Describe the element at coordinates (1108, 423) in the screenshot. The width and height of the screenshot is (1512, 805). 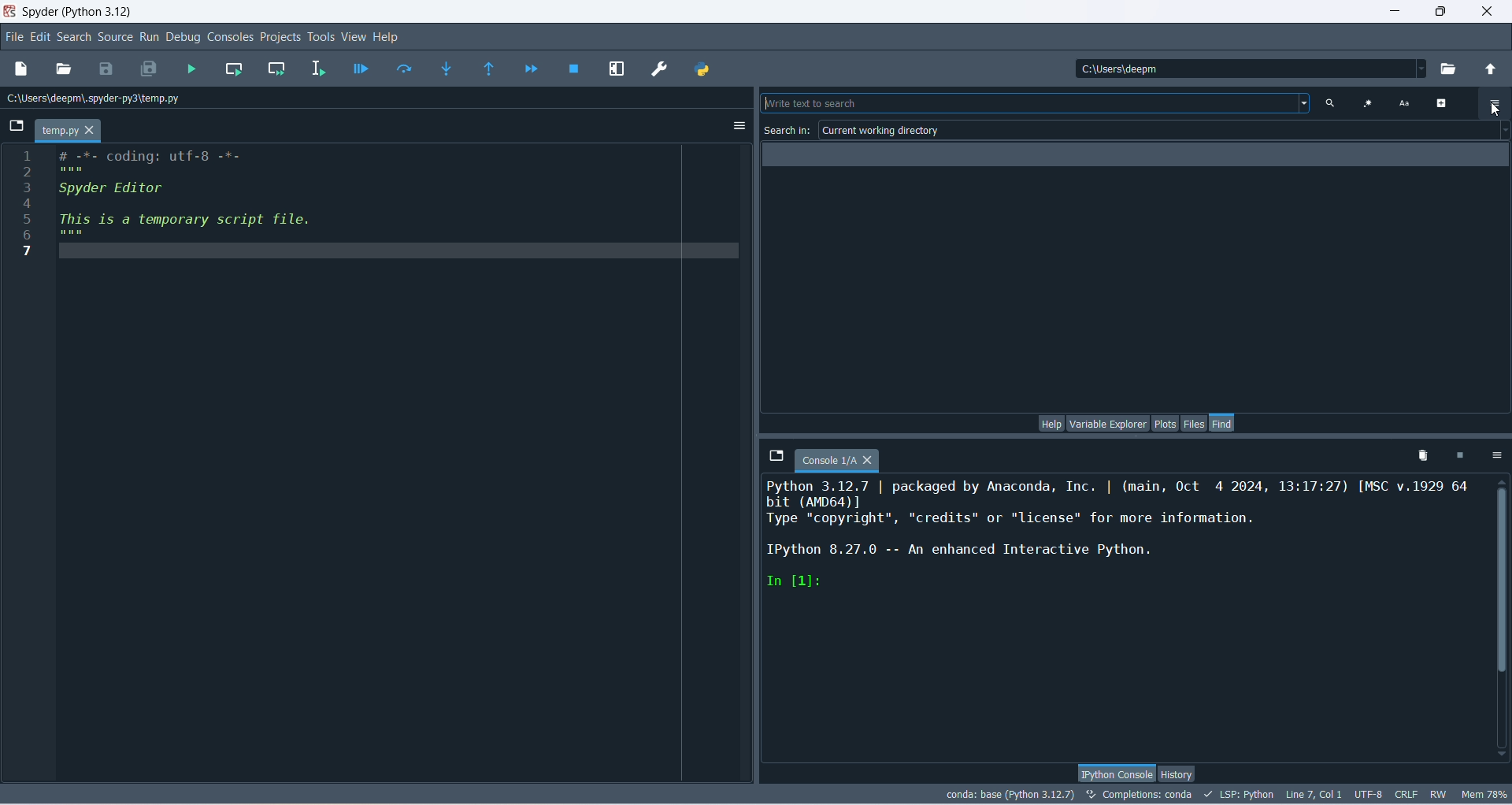
I see `variable explorer` at that location.